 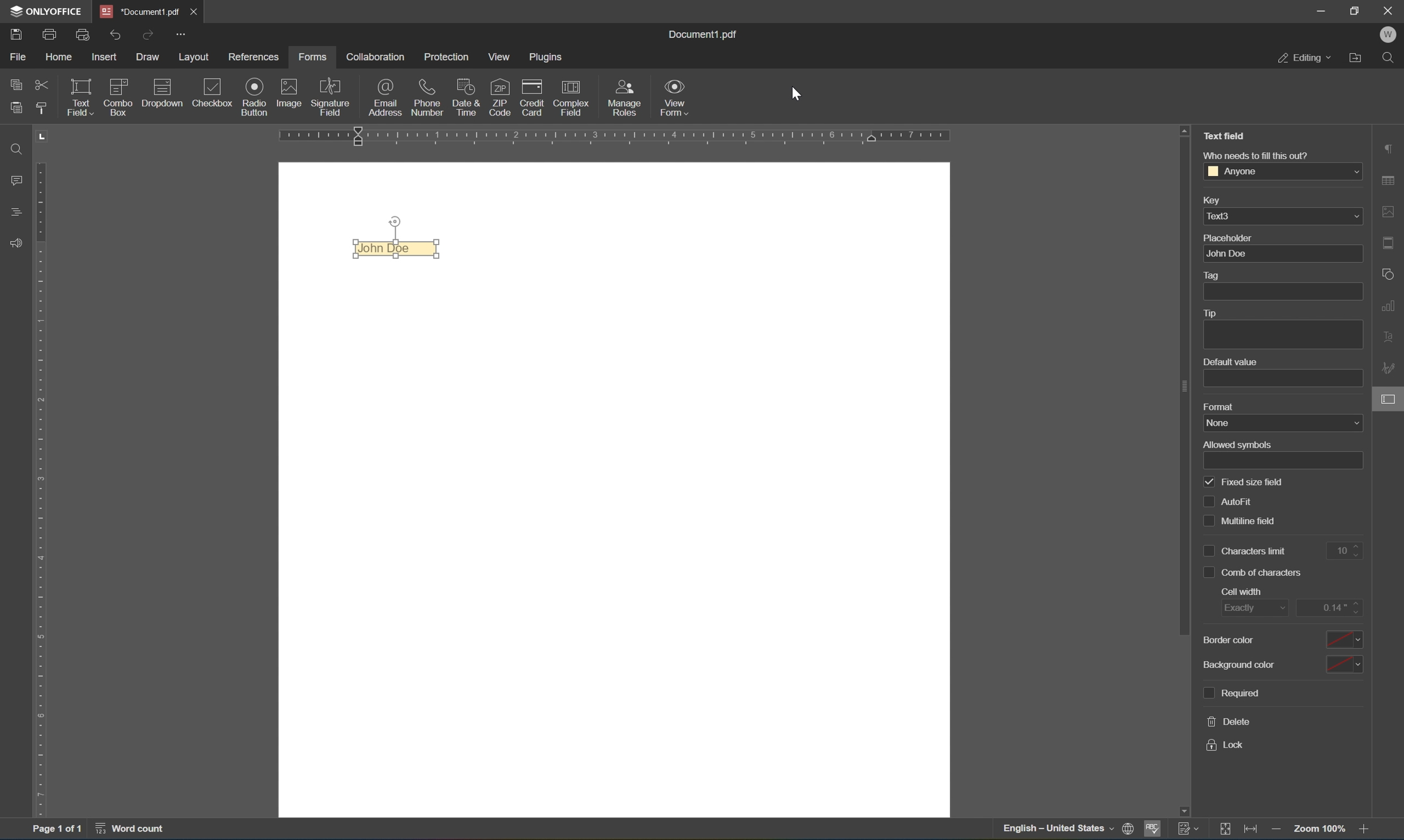 What do you see at coordinates (1226, 748) in the screenshot?
I see `lock` at bounding box center [1226, 748].